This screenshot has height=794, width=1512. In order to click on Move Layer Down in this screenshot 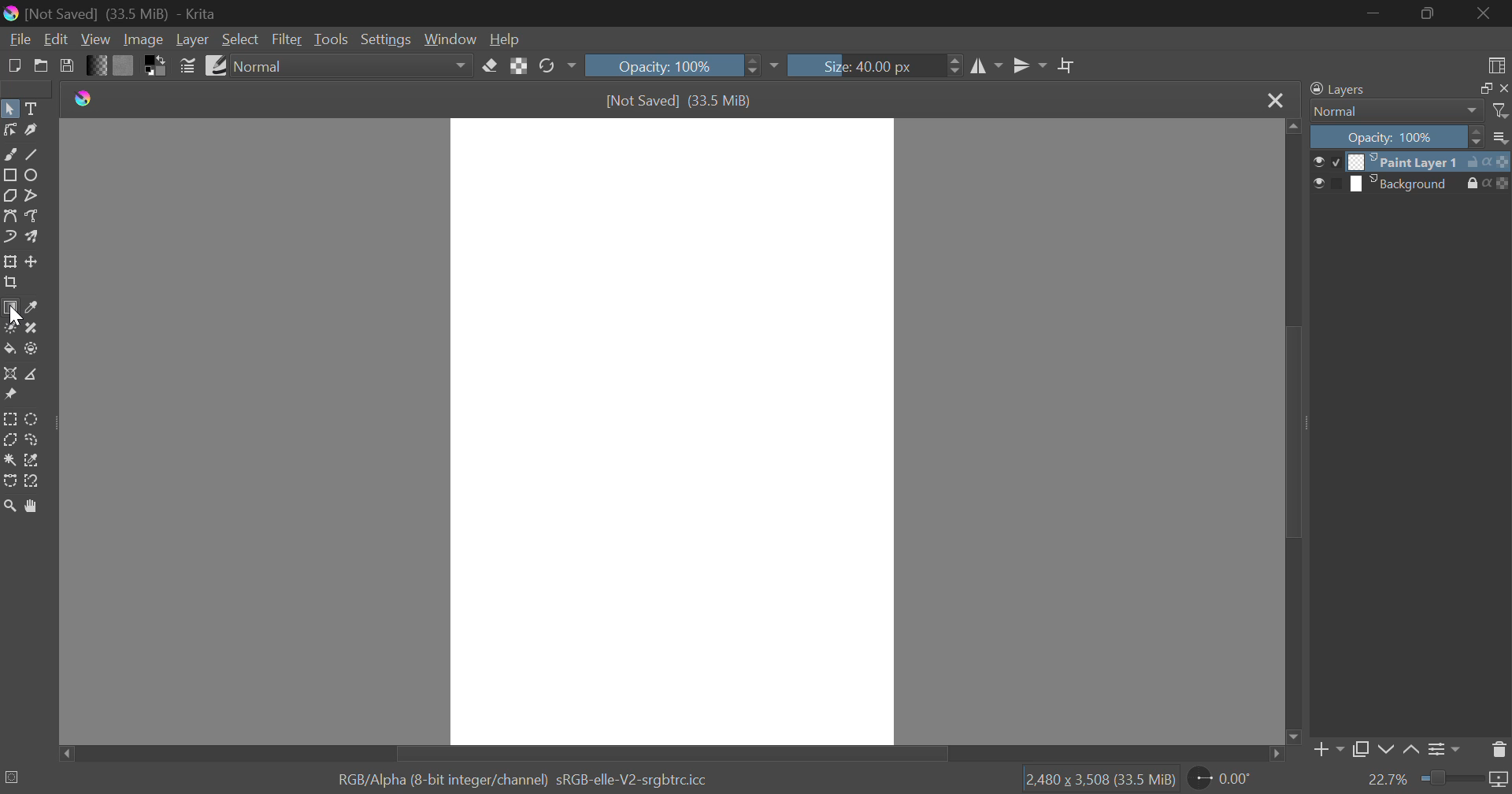, I will do `click(1386, 751)`.